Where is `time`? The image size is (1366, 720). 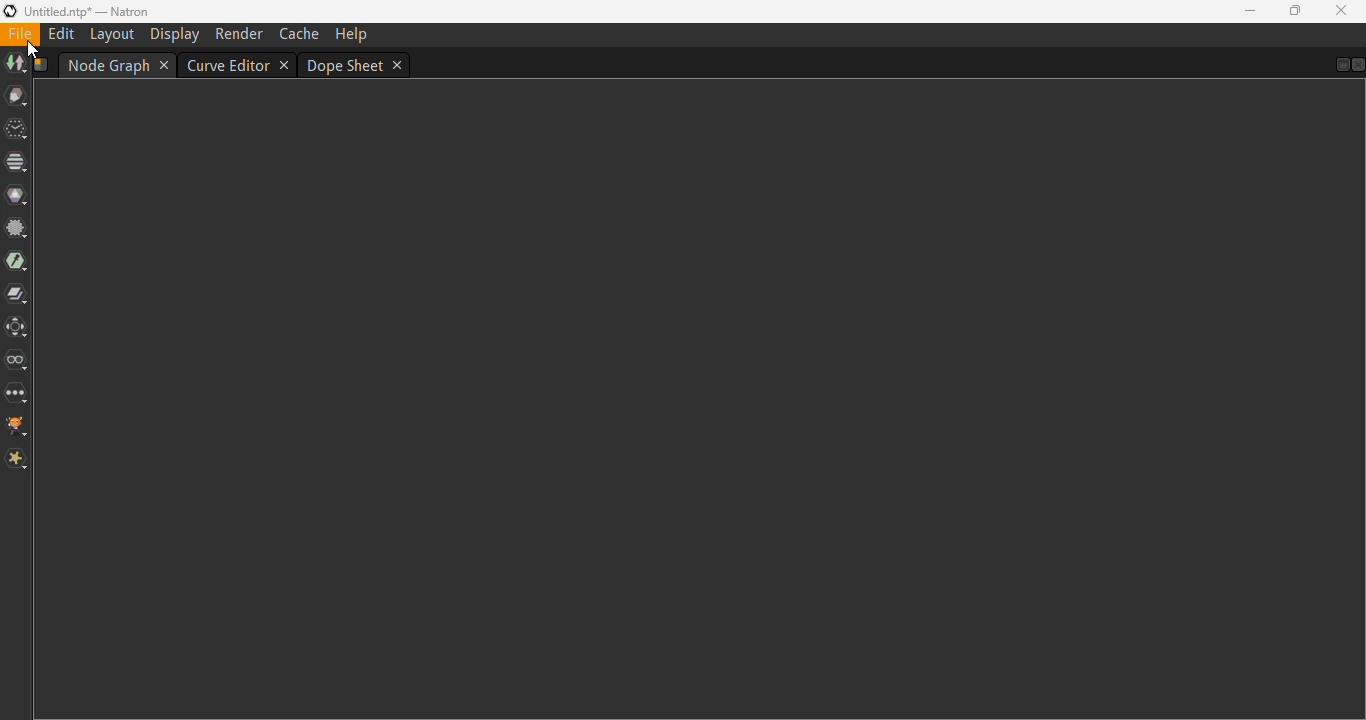 time is located at coordinates (16, 129).